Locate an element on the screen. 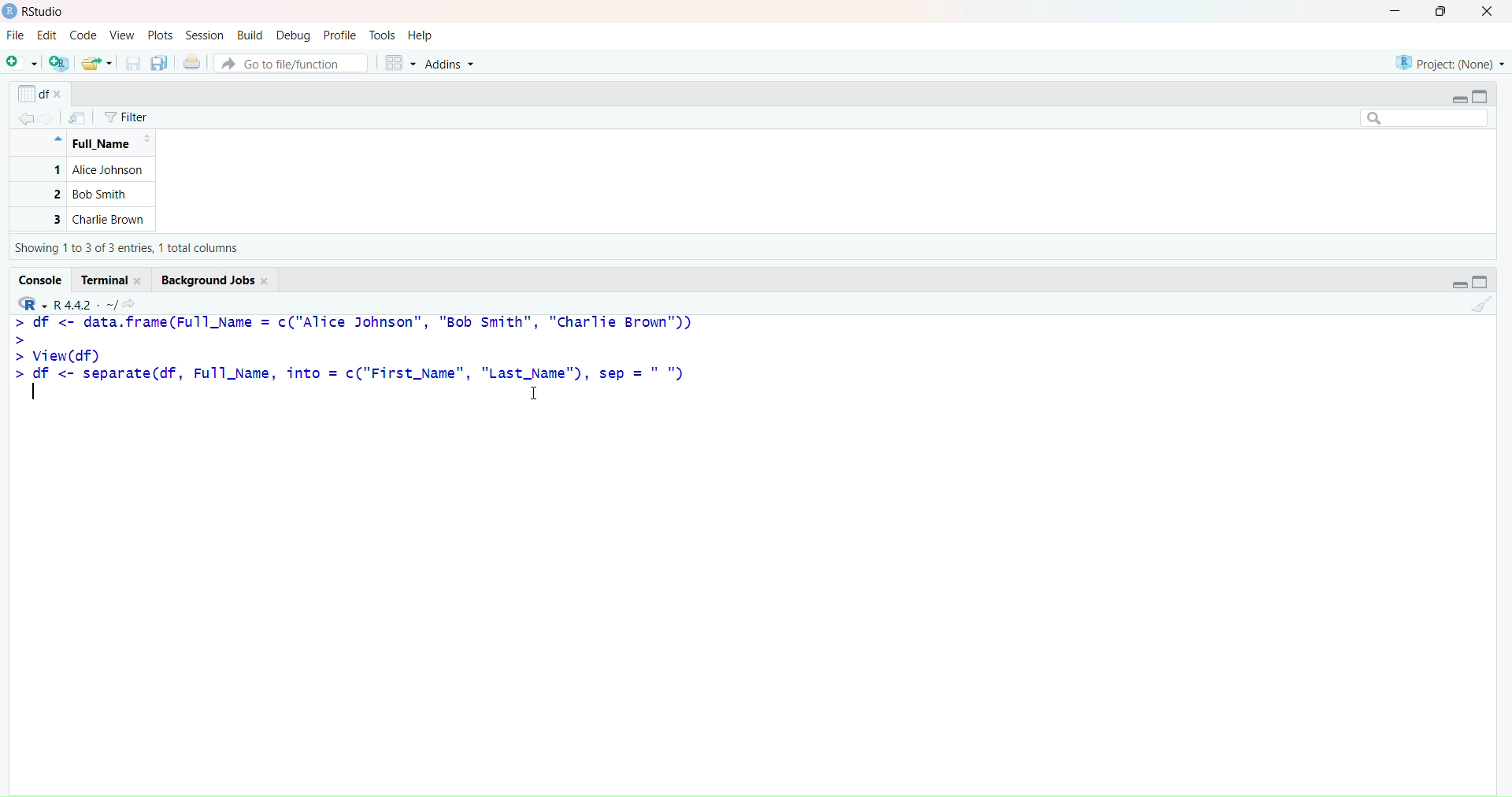 This screenshot has height=797, width=1512. Minimize is located at coordinates (1396, 14).